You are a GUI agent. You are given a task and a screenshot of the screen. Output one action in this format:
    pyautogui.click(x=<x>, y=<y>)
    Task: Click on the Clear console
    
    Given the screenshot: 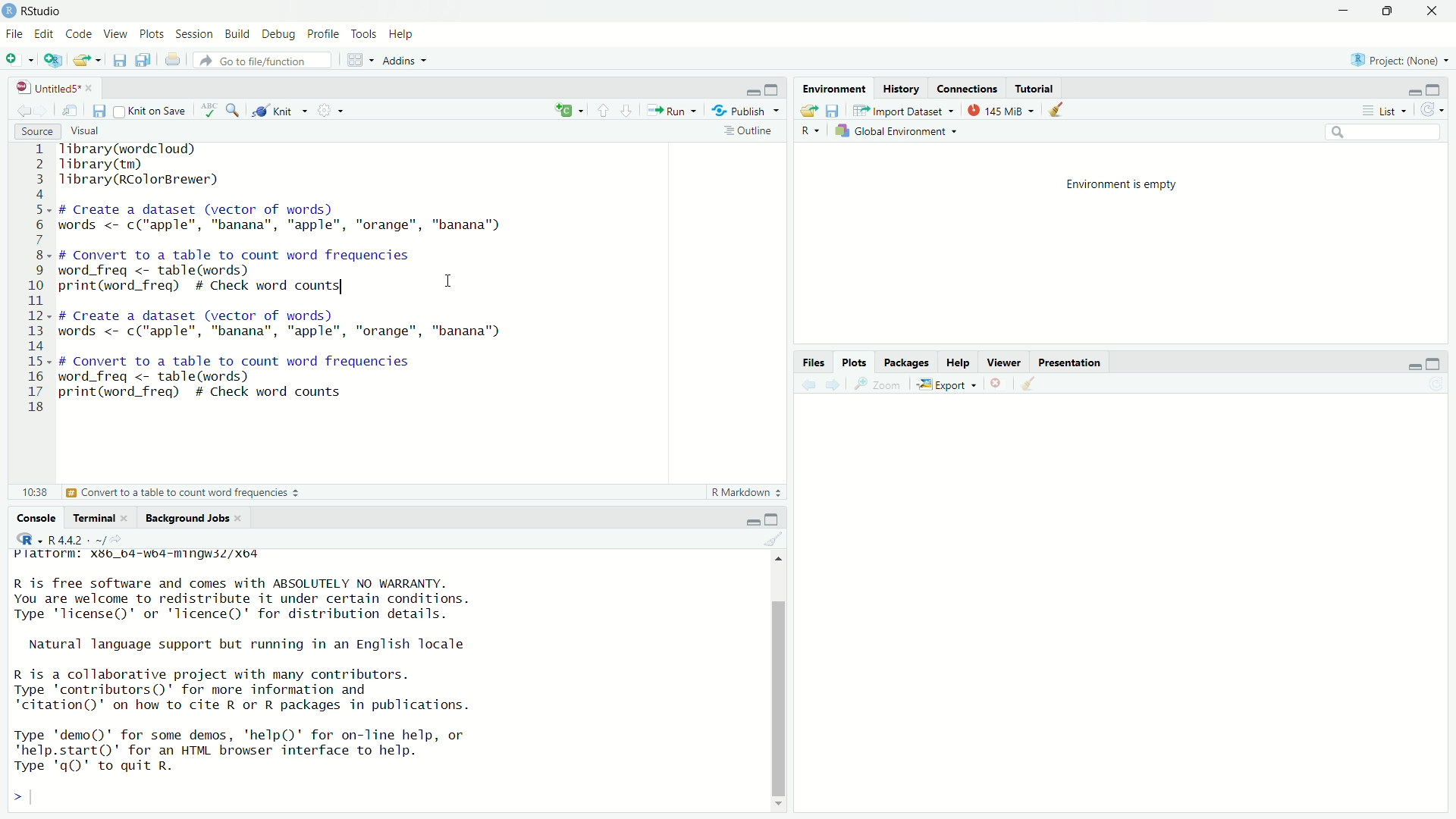 What is the action you would take?
    pyautogui.click(x=777, y=541)
    